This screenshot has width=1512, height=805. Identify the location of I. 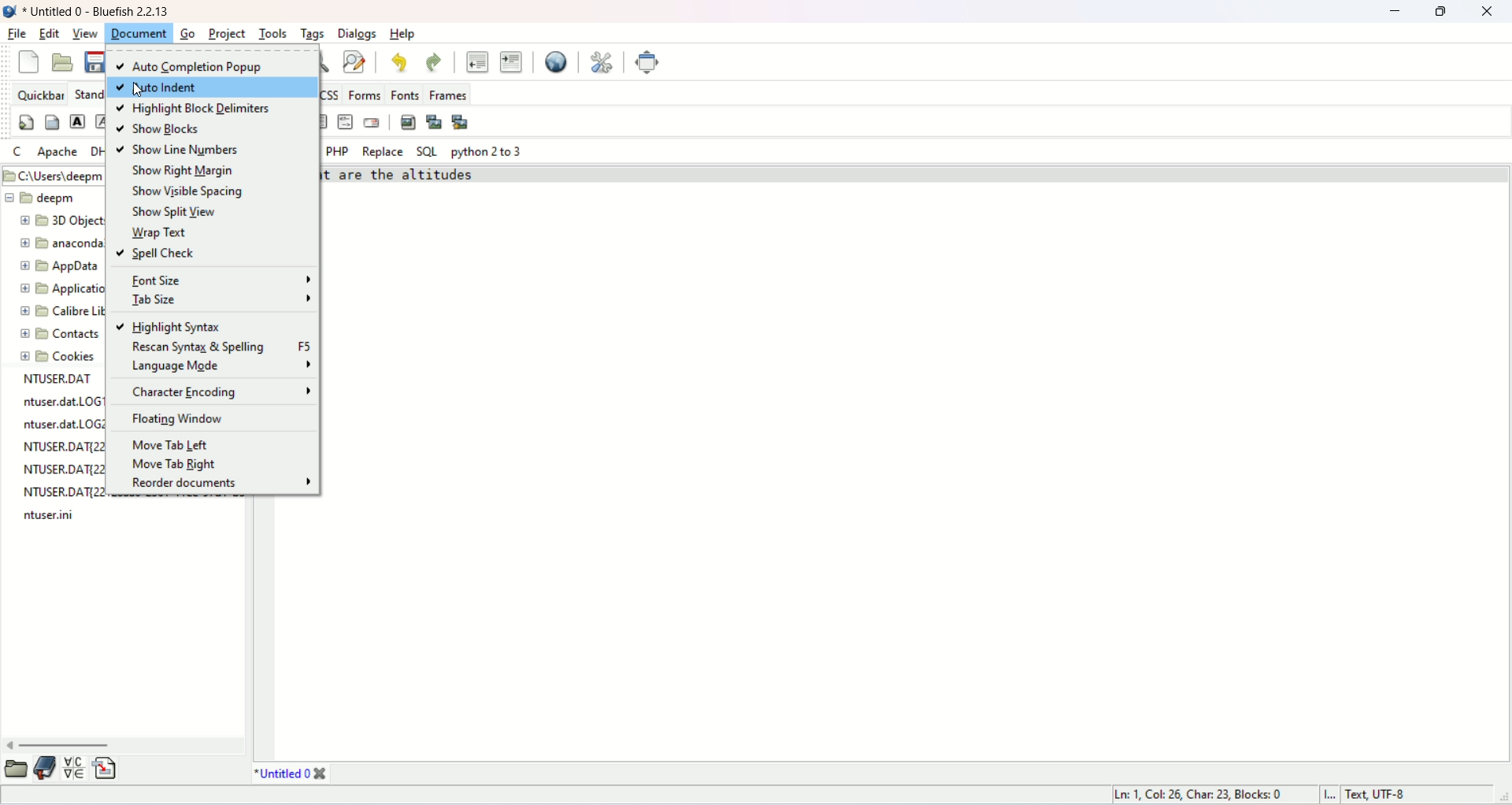
(1333, 795).